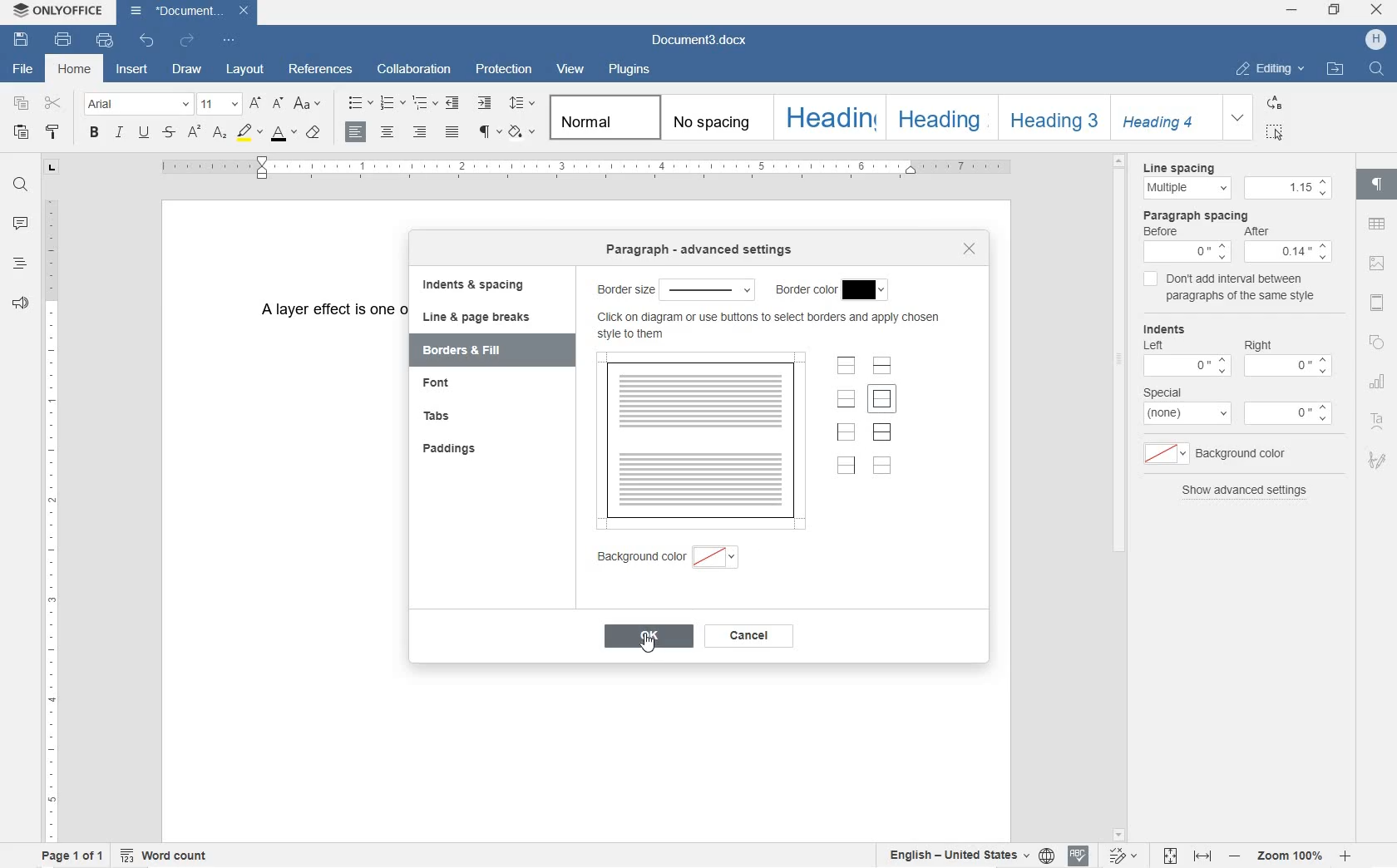  Describe the element at coordinates (646, 635) in the screenshot. I see `ok` at that location.